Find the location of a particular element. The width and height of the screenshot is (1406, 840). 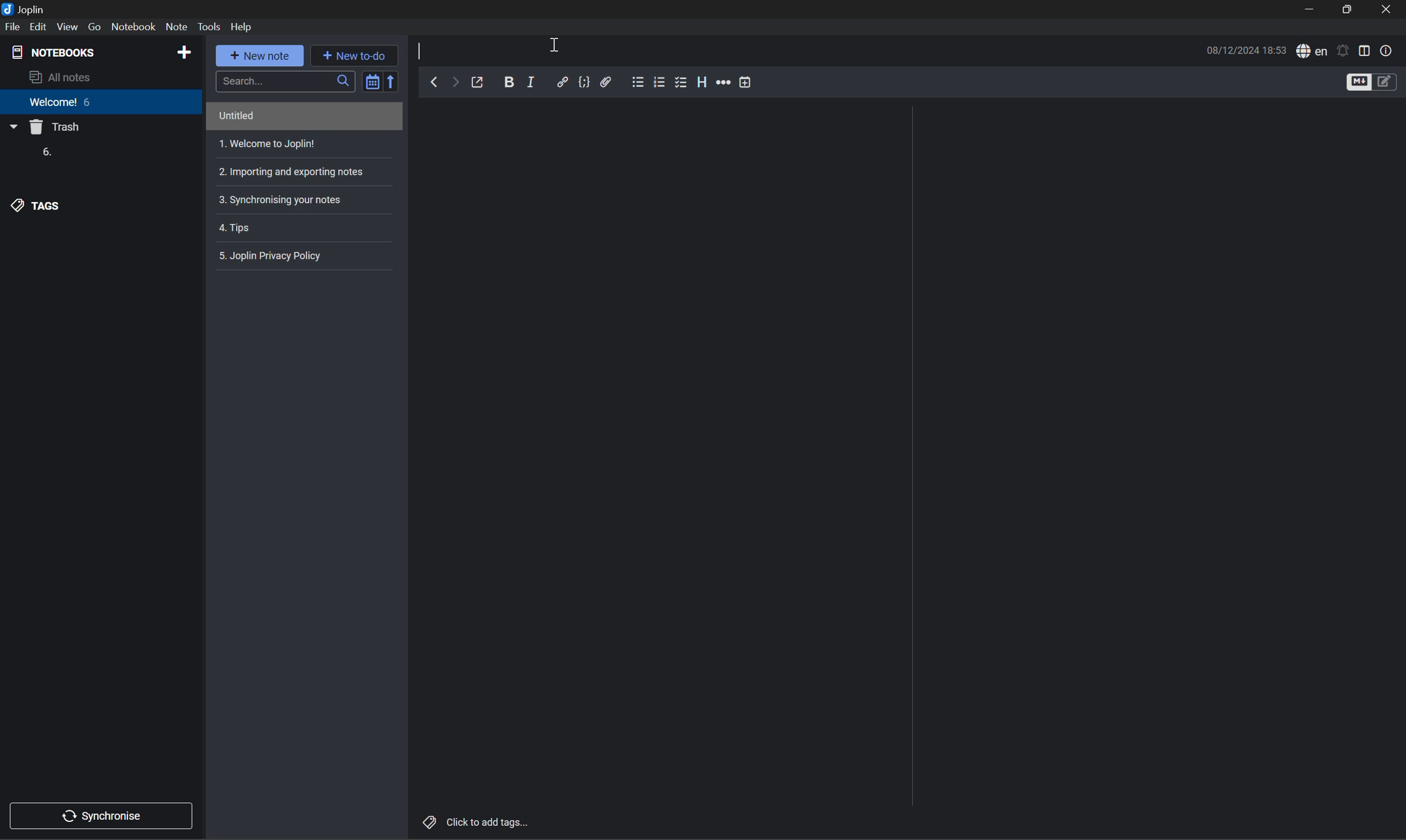

Notebook is located at coordinates (133, 27).